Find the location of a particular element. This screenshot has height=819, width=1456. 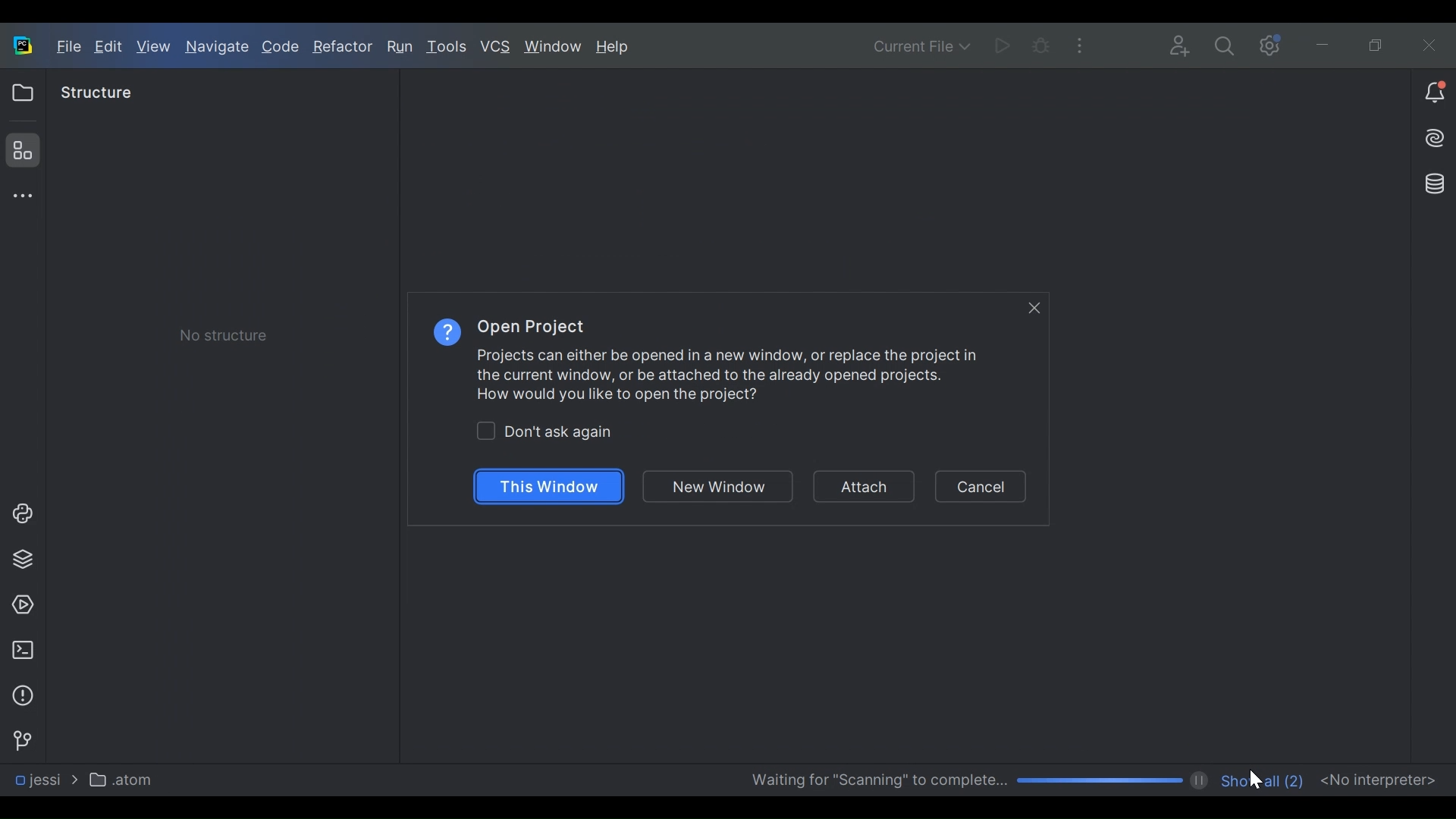

Terminal is located at coordinates (22, 650).